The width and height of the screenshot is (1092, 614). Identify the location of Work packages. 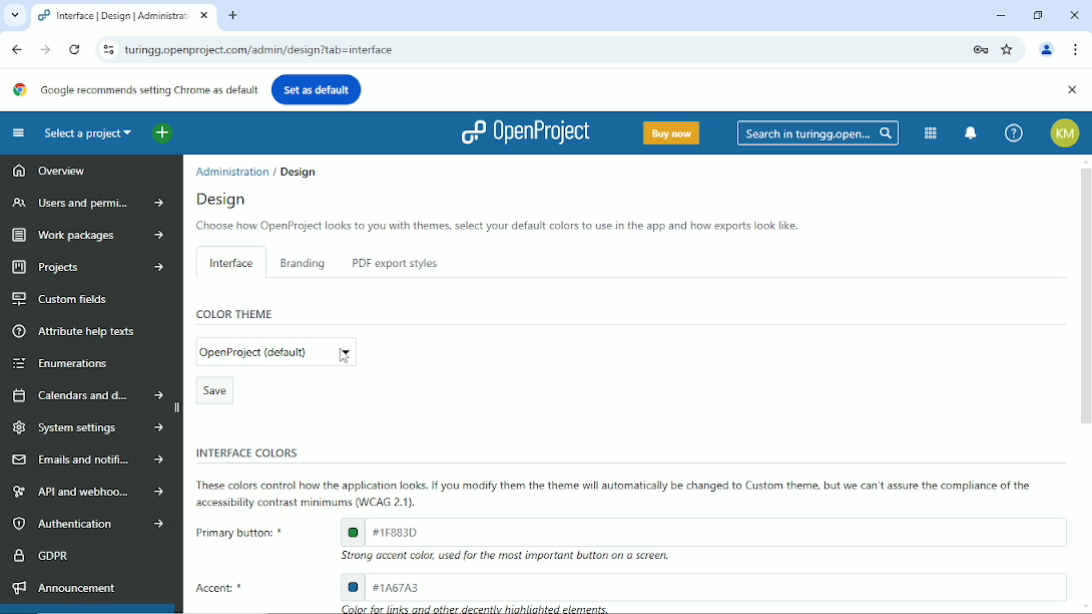
(83, 235).